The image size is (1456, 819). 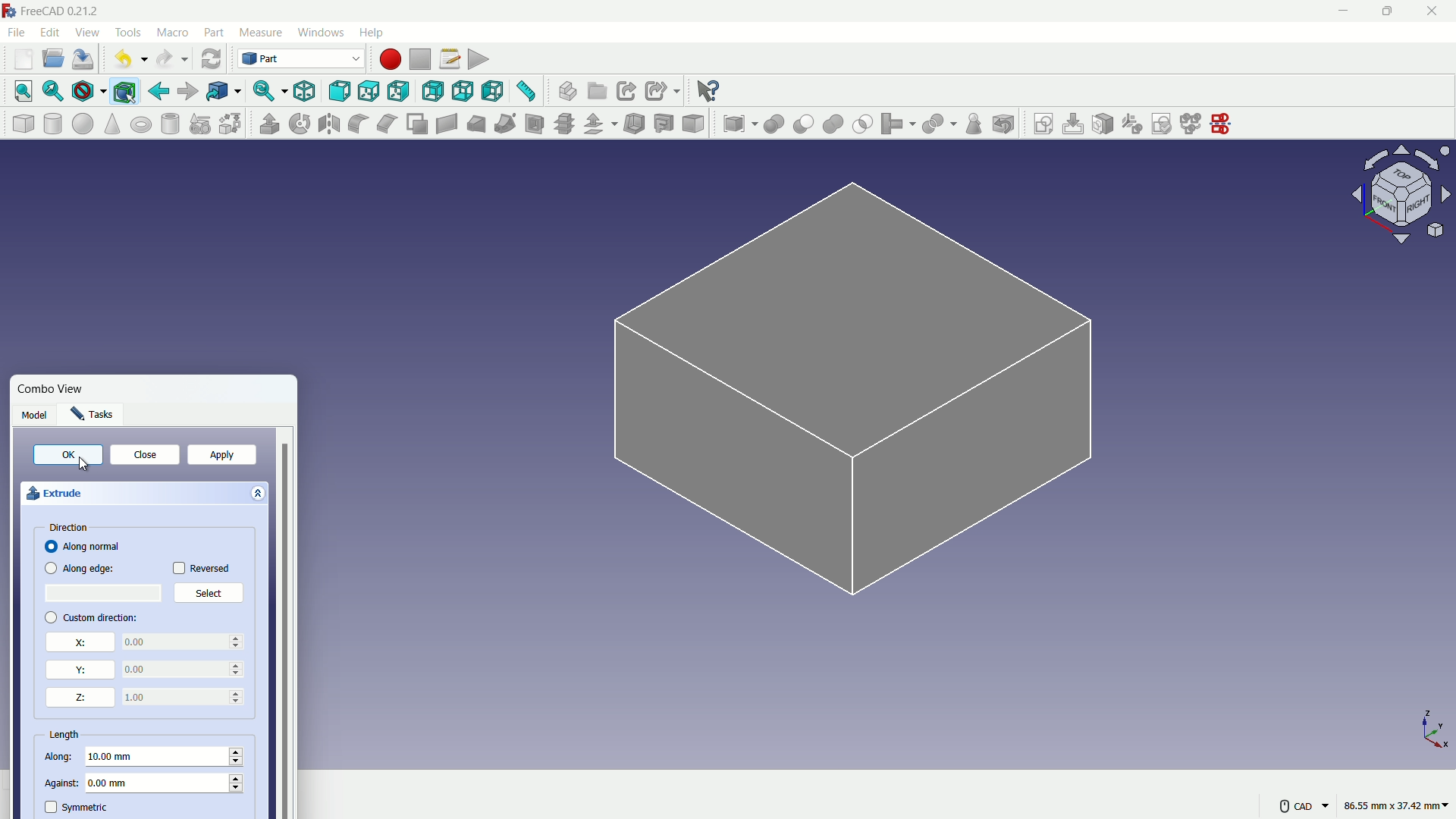 I want to click on draw styles, so click(x=90, y=92).